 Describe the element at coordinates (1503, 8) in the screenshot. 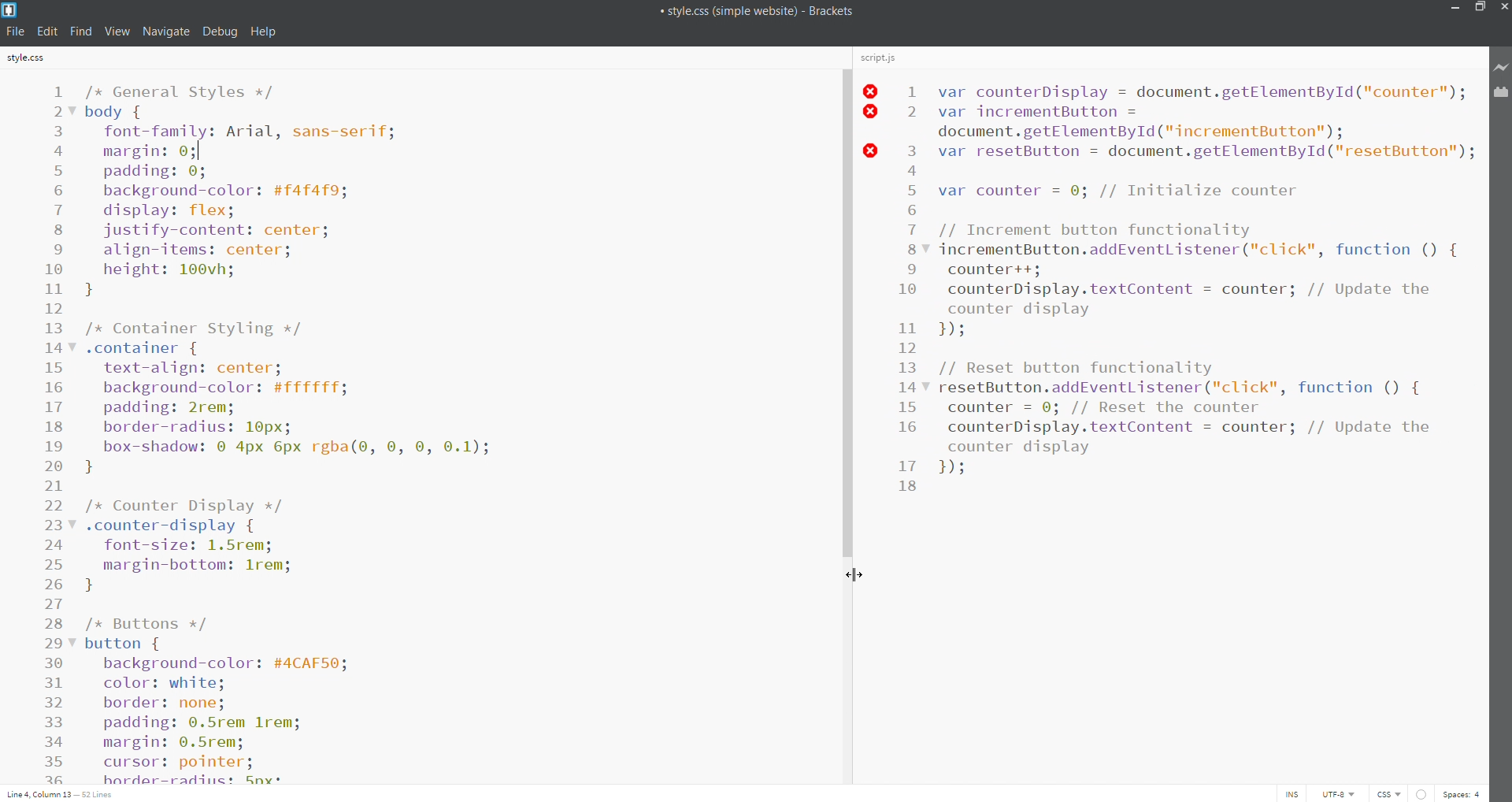

I see `close` at that location.